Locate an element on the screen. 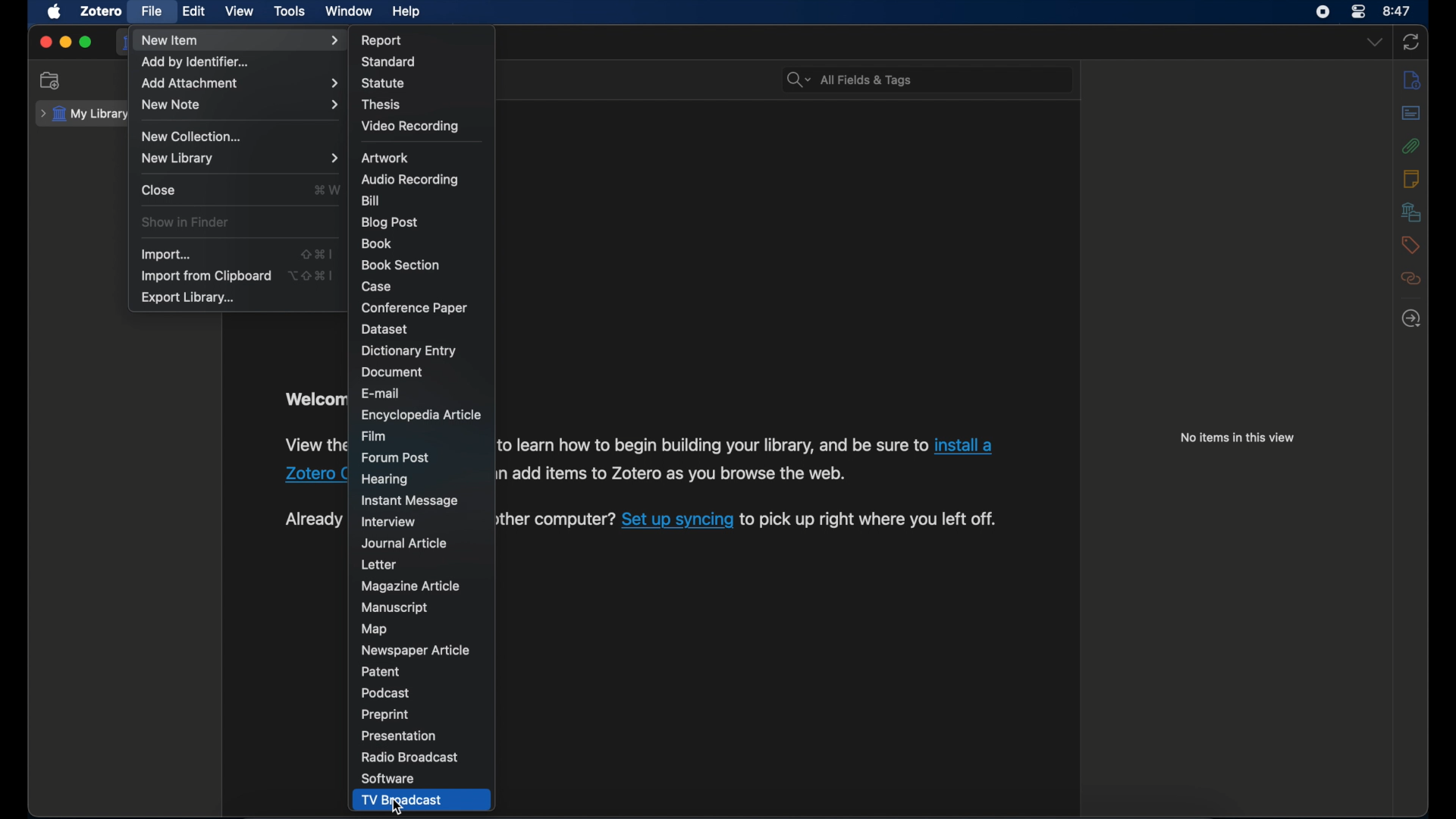 The image size is (1456, 819). software information is located at coordinates (313, 445).